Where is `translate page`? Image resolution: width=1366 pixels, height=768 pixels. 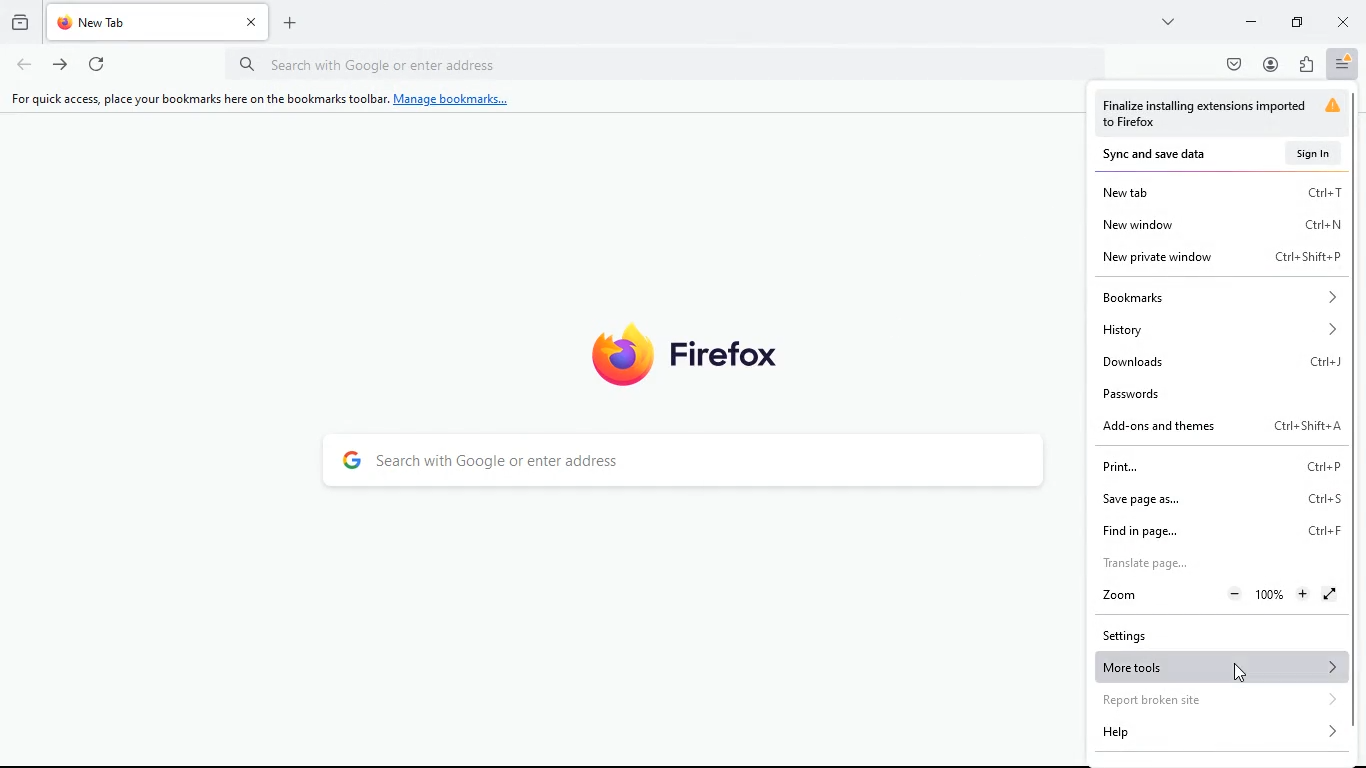 translate page is located at coordinates (1224, 566).